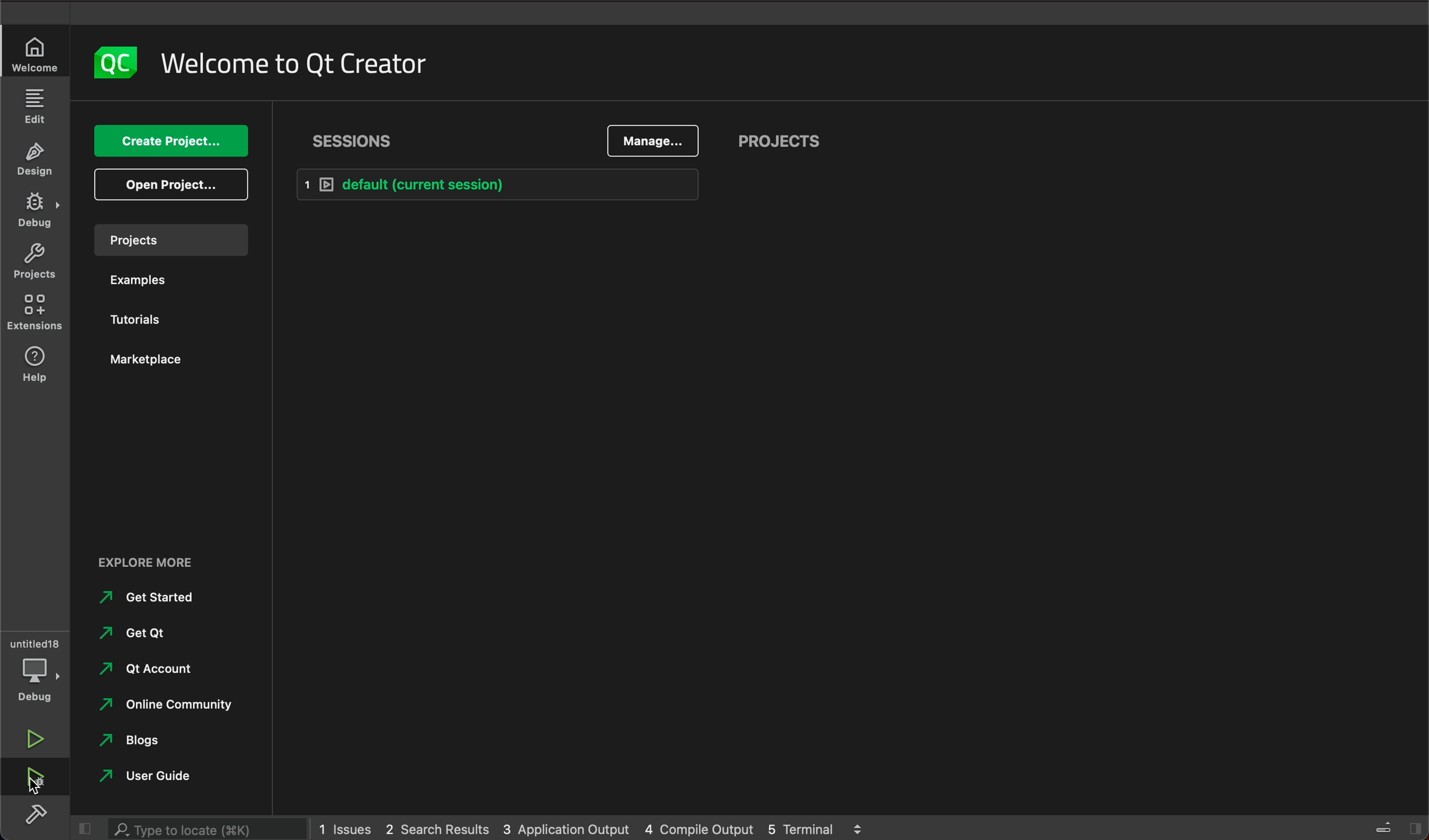 The width and height of the screenshot is (1429, 840). What do you see at coordinates (654, 139) in the screenshot?
I see `manage` at bounding box center [654, 139].